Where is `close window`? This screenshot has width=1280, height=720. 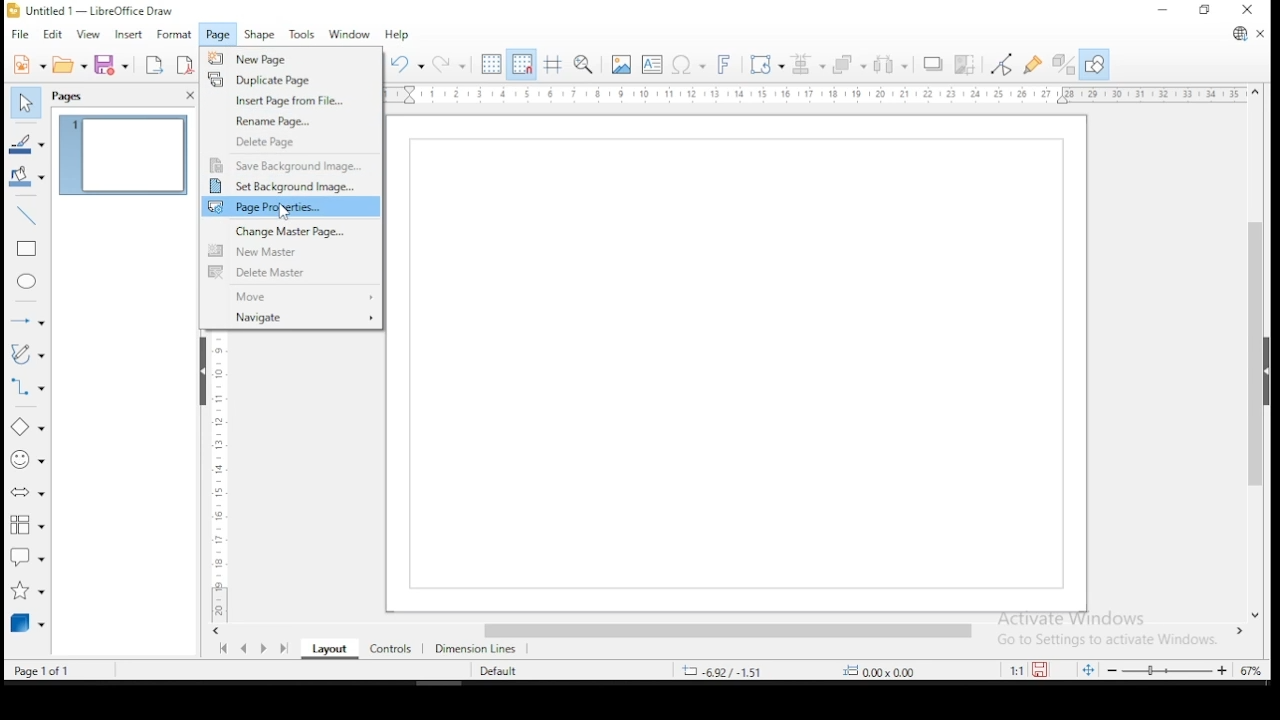
close window is located at coordinates (1250, 12).